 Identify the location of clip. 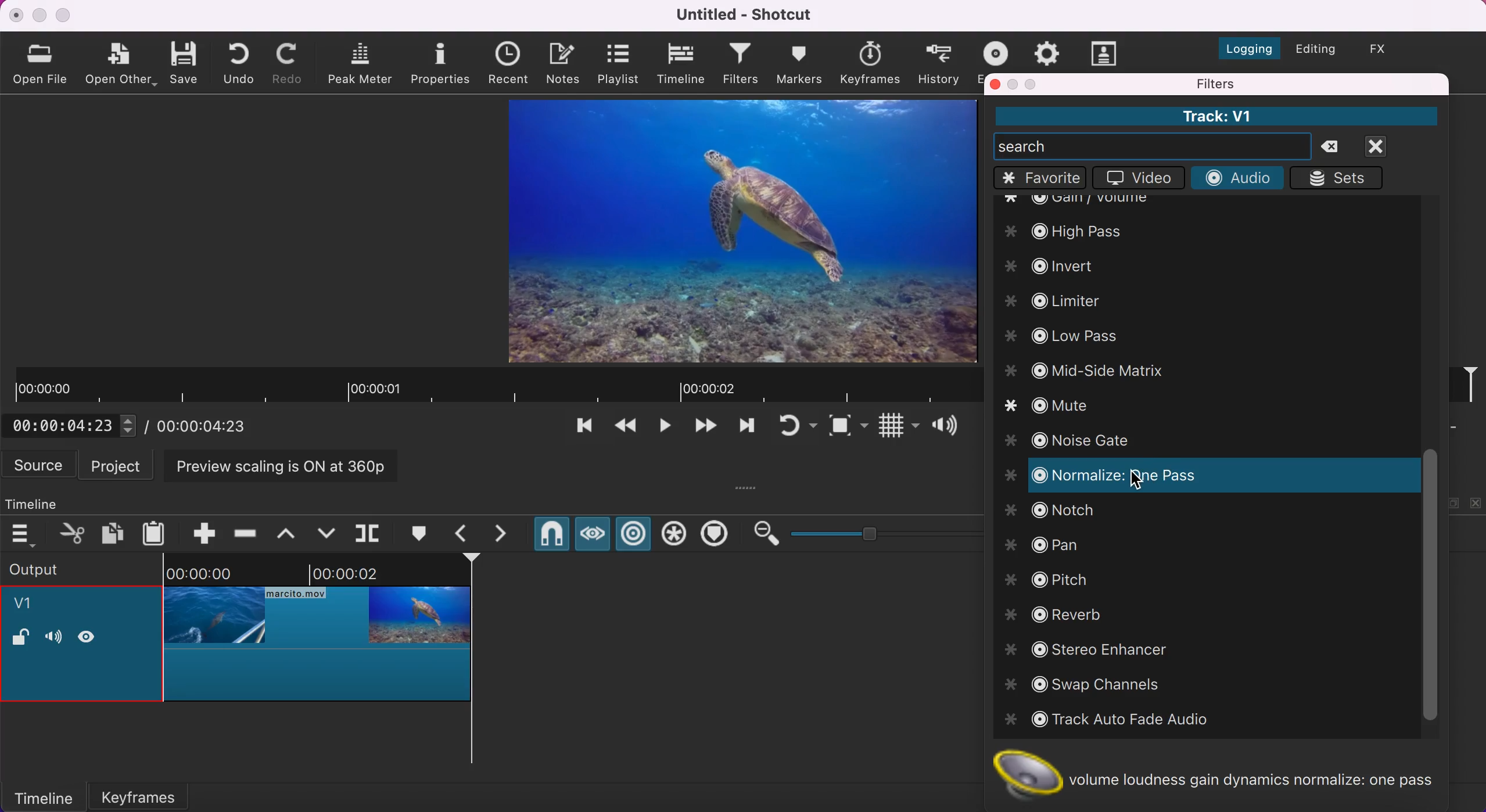
(729, 229).